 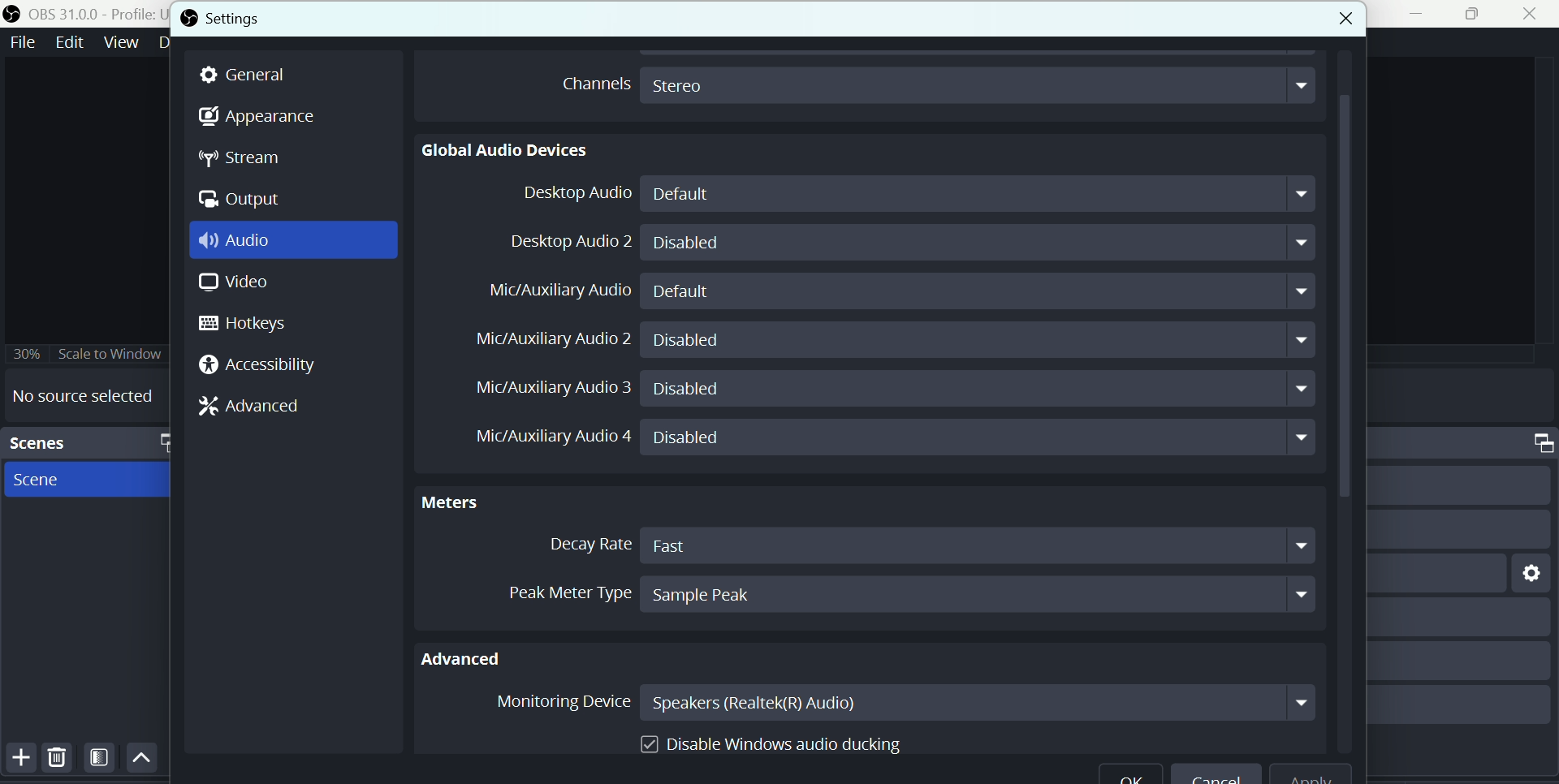 I want to click on Disable Windows audio ducking, so click(x=774, y=740).